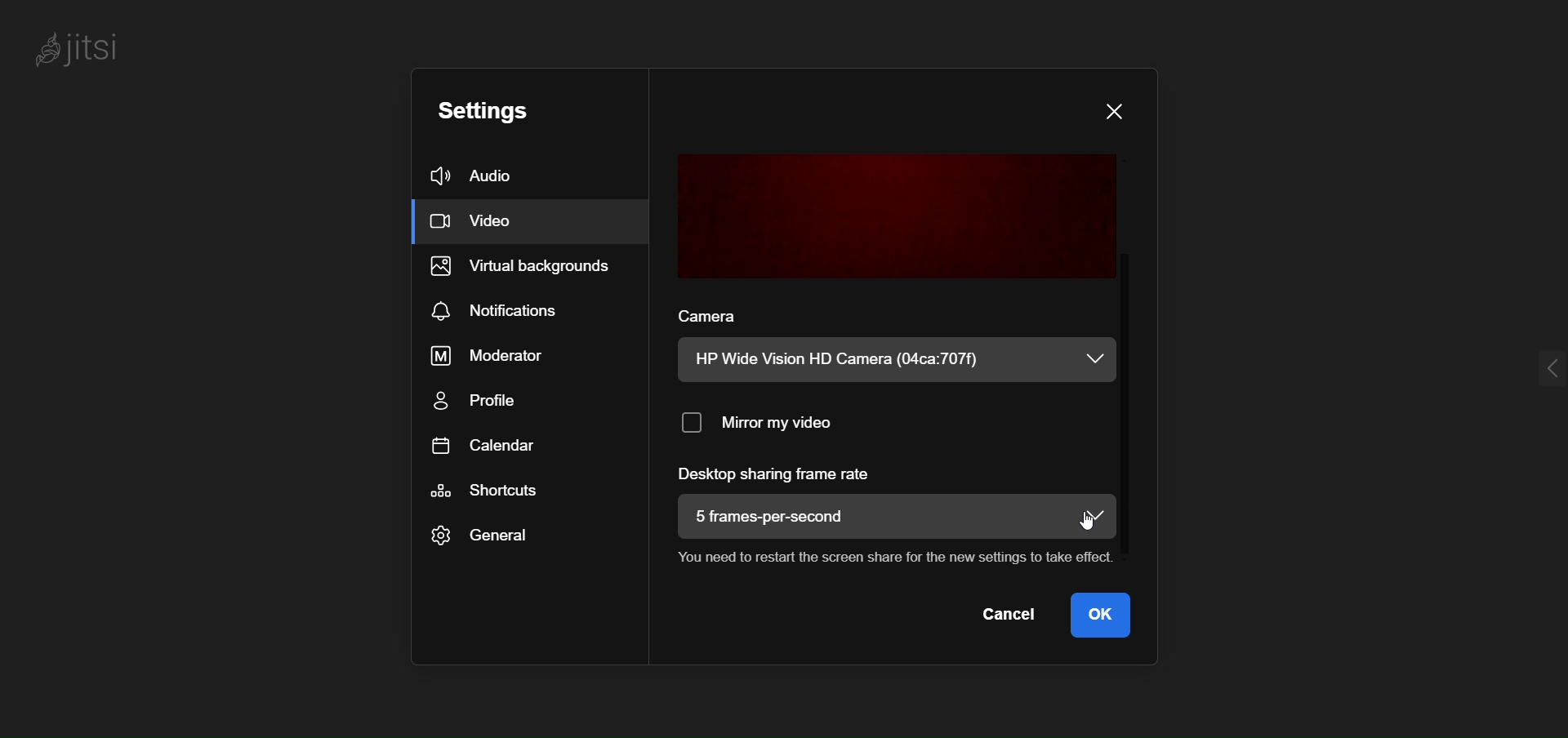 This screenshot has height=738, width=1568. I want to click on audio, so click(501, 178).